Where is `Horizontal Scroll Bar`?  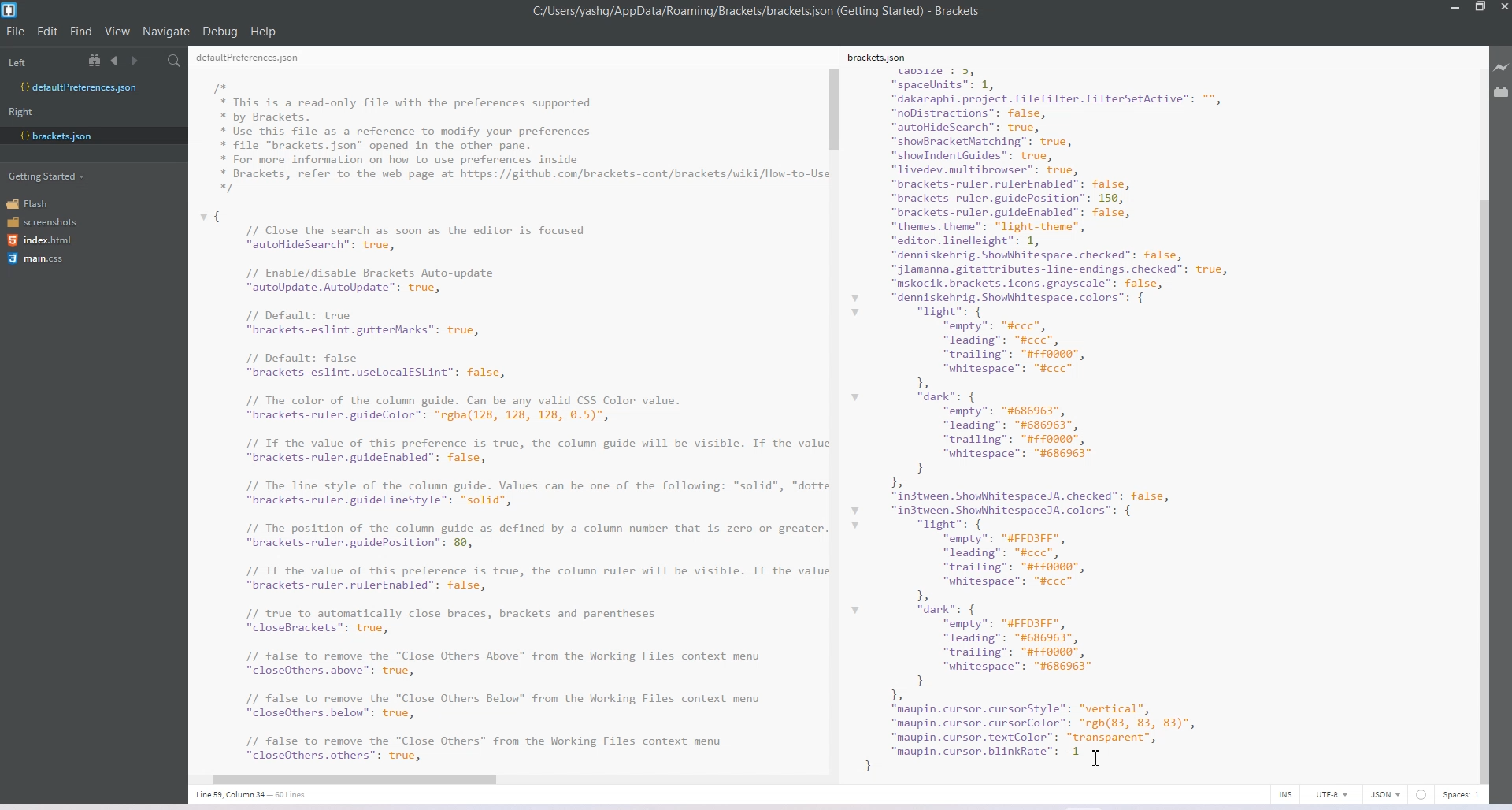 Horizontal Scroll Bar is located at coordinates (502, 776).